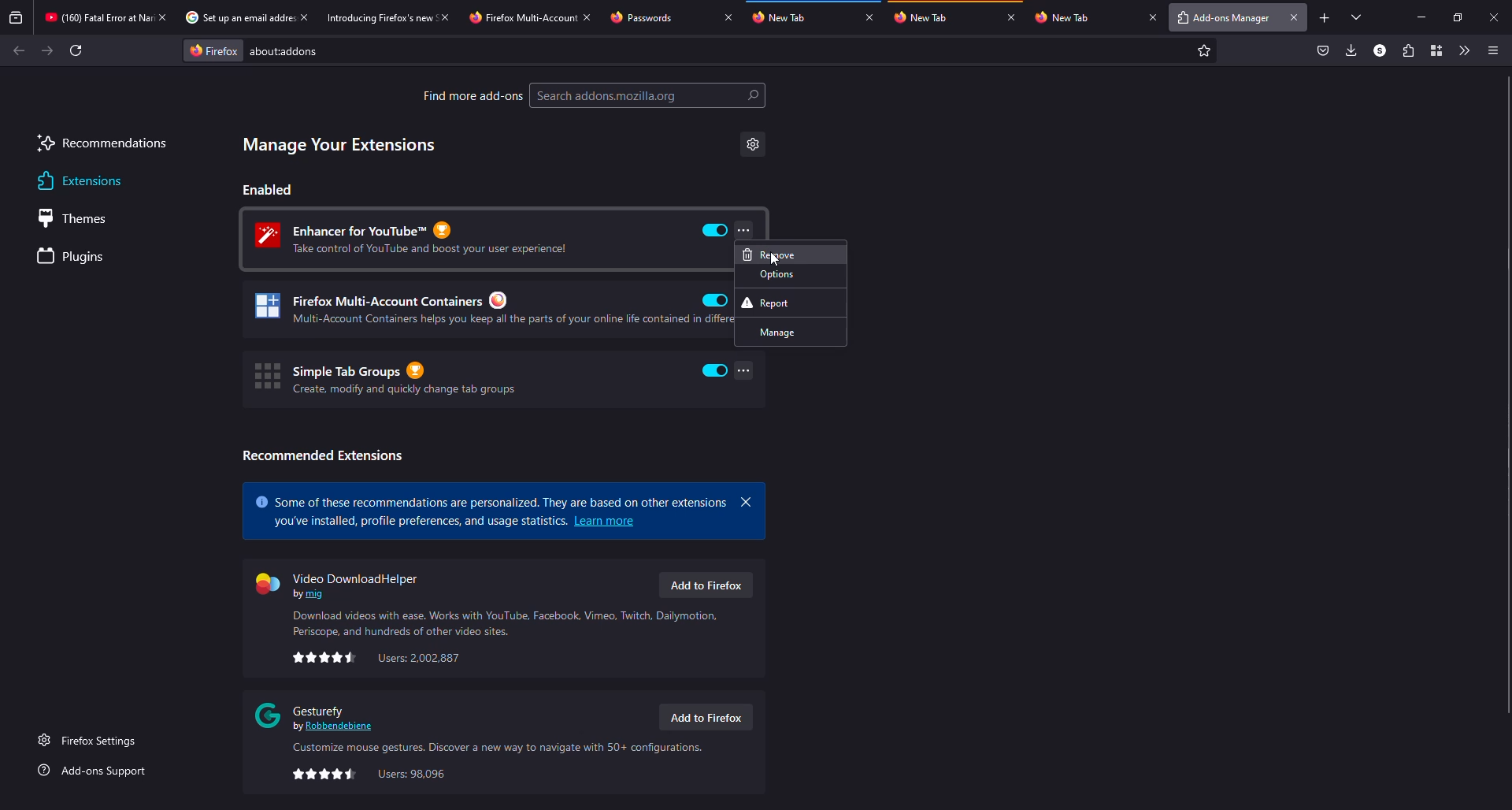 Image resolution: width=1512 pixels, height=810 pixels. Describe the element at coordinates (1295, 17) in the screenshot. I see `close` at that location.